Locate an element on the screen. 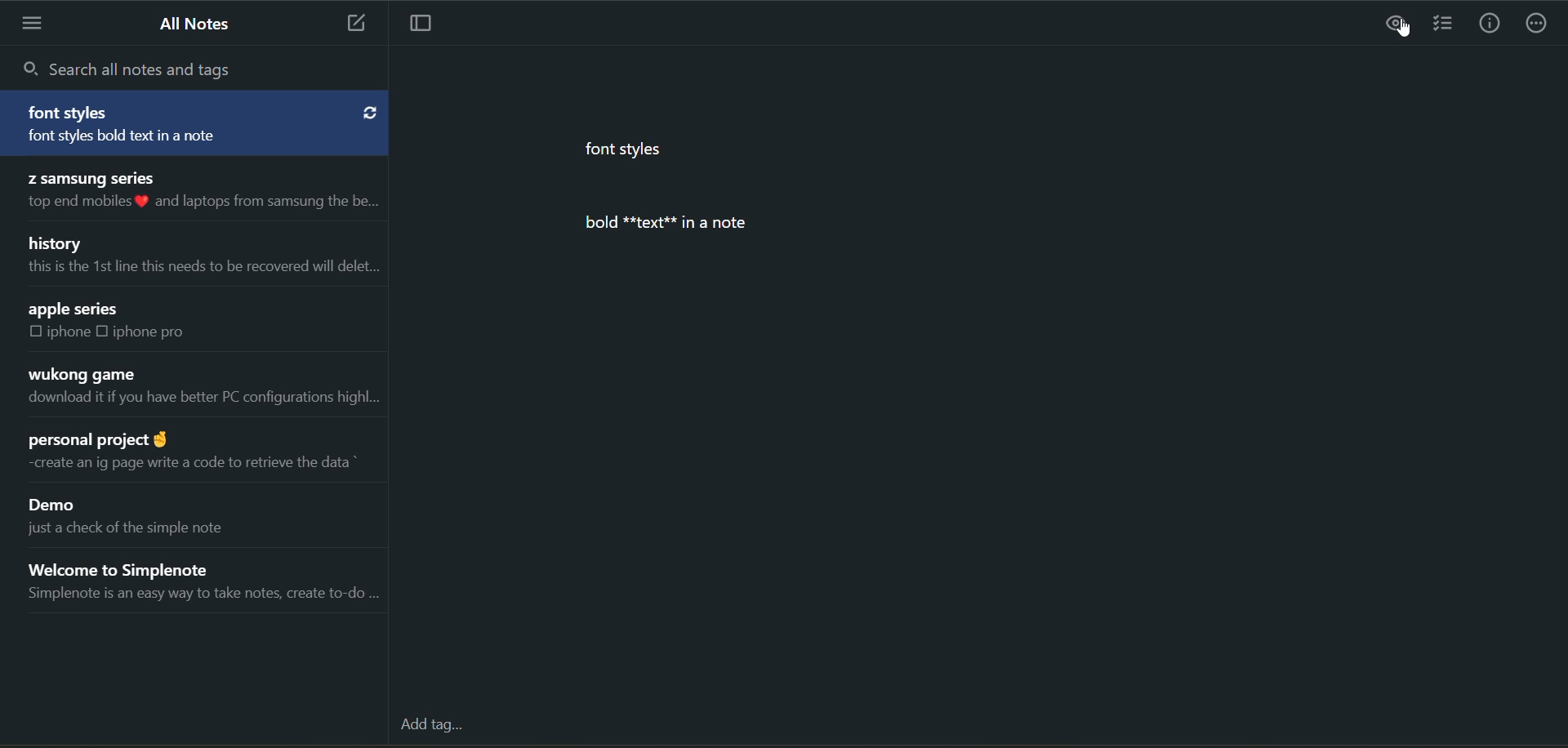 The image size is (1568, 748). this is the 1st line this needs to be recovered will delet... is located at coordinates (200, 267).